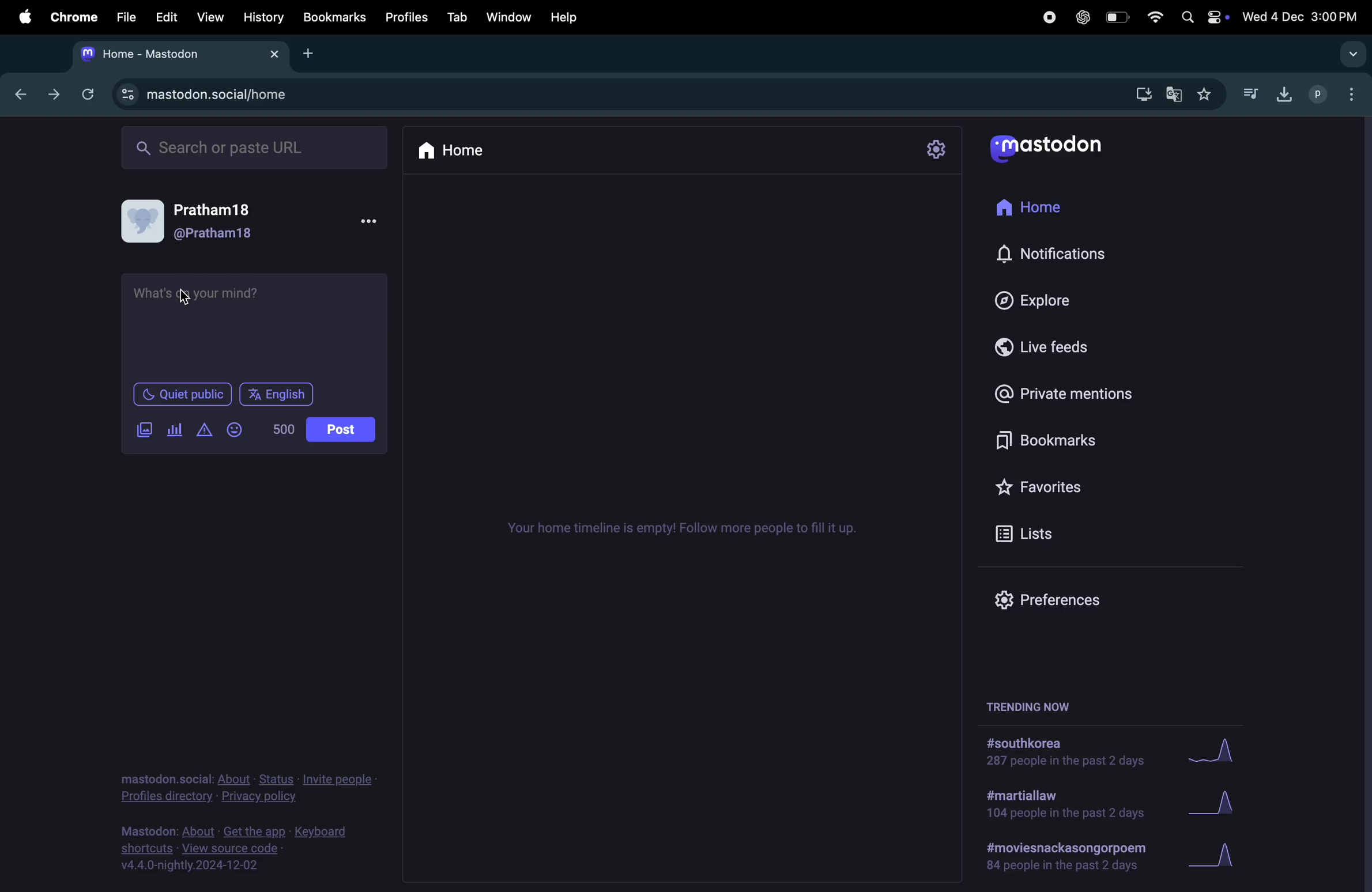  What do you see at coordinates (1207, 92) in the screenshot?
I see `favourites` at bounding box center [1207, 92].